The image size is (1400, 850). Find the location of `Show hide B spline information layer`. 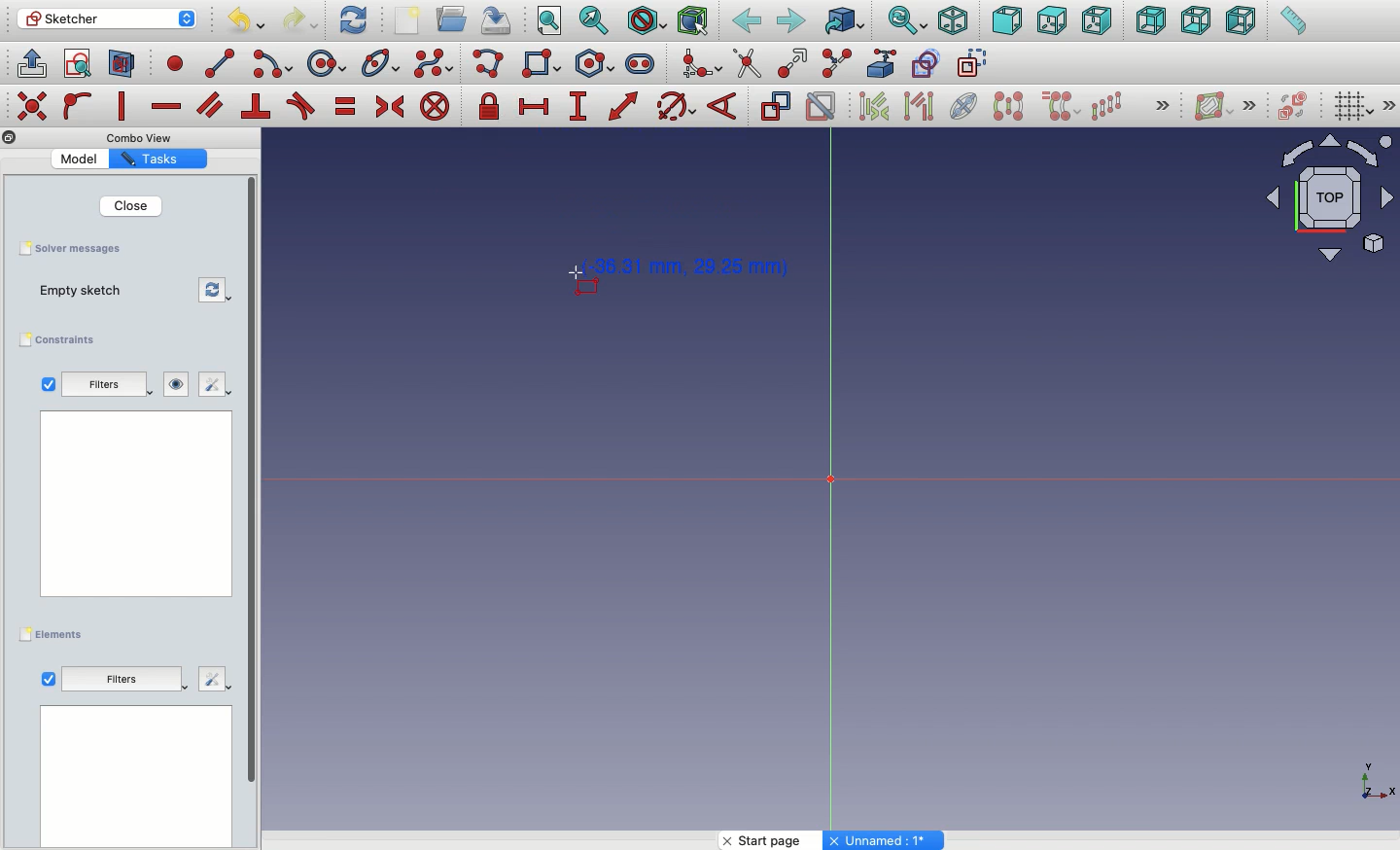

Show hide B spline information layer is located at coordinates (1215, 106).